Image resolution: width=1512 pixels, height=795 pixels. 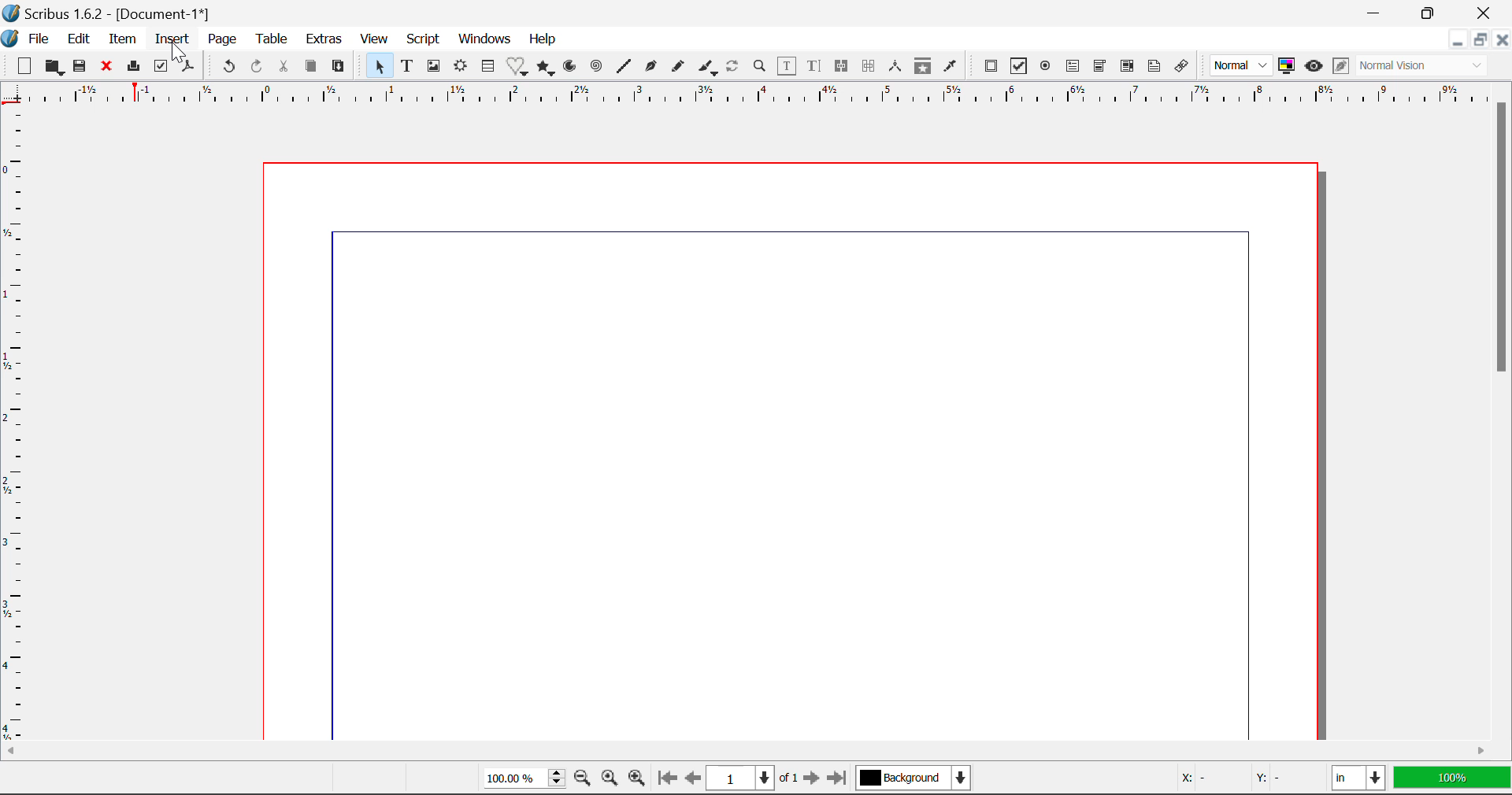 What do you see at coordinates (814, 68) in the screenshot?
I see `Edit Text in Story Editor` at bounding box center [814, 68].